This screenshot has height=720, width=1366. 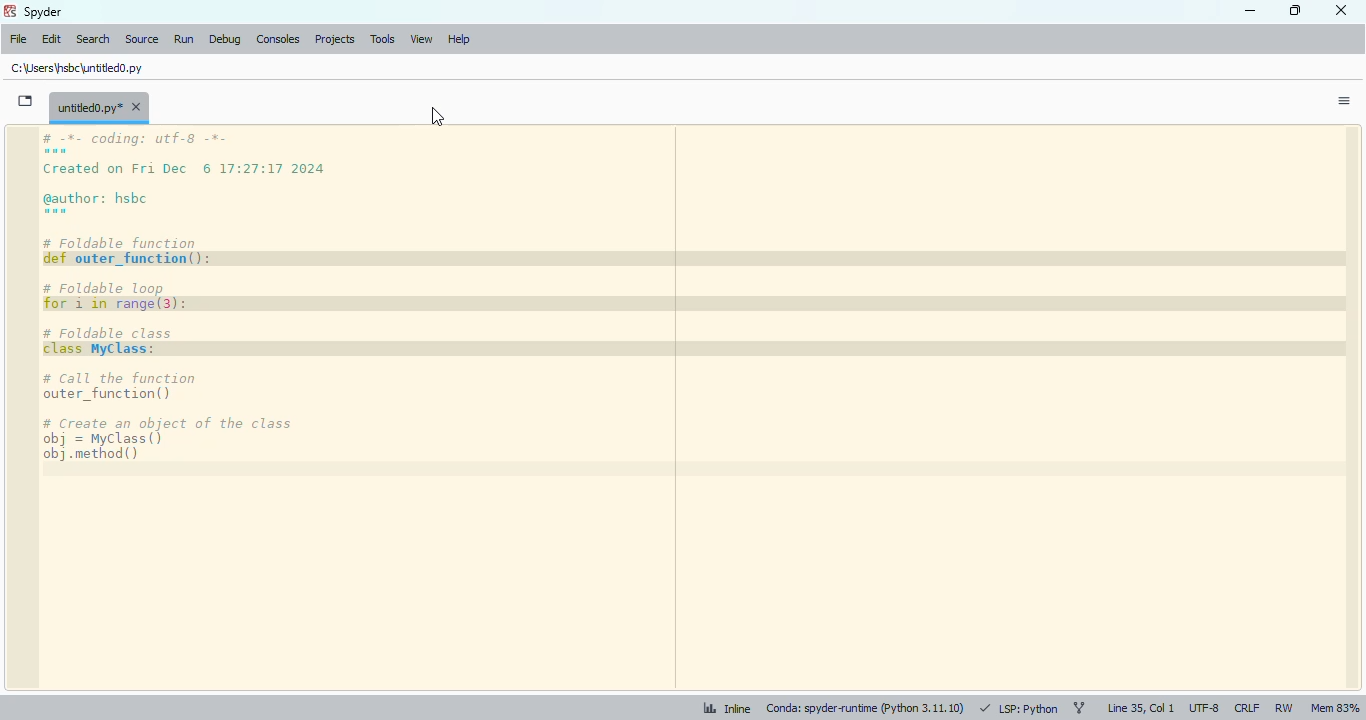 I want to click on run, so click(x=183, y=39).